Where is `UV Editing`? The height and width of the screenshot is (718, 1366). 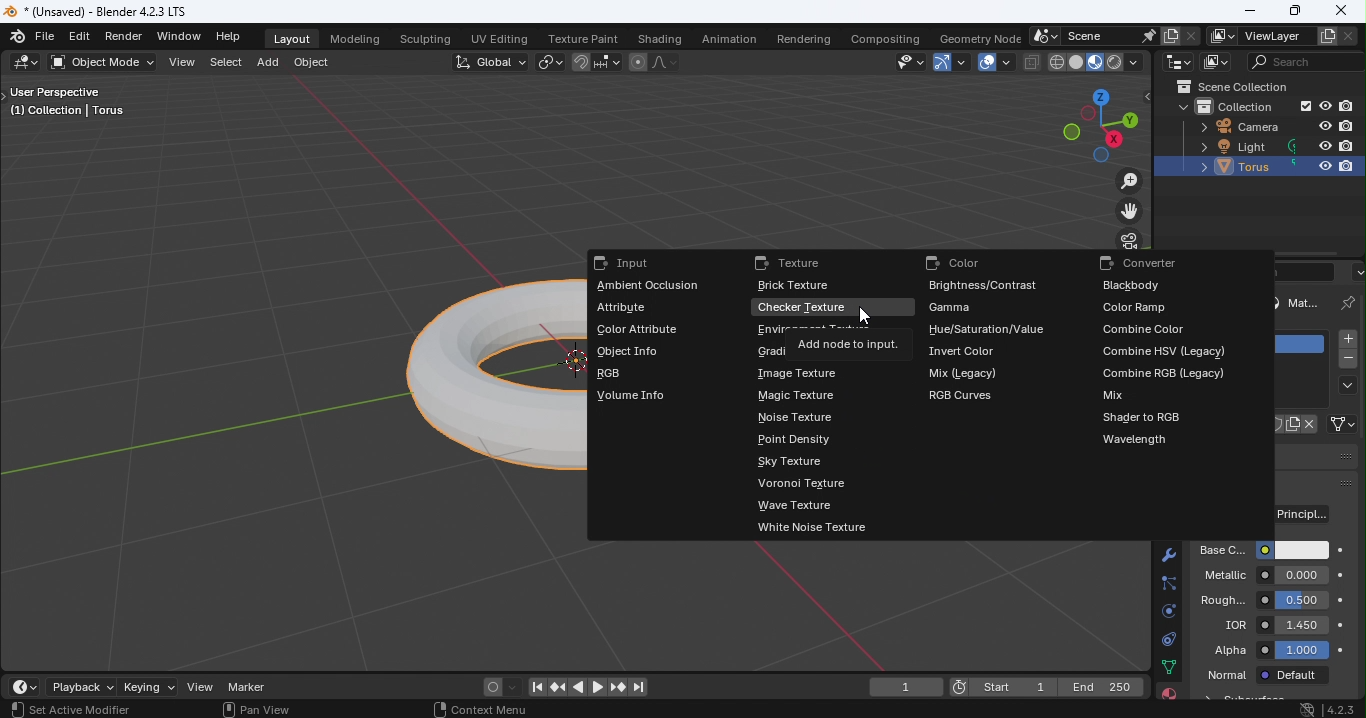 UV Editing is located at coordinates (500, 37).